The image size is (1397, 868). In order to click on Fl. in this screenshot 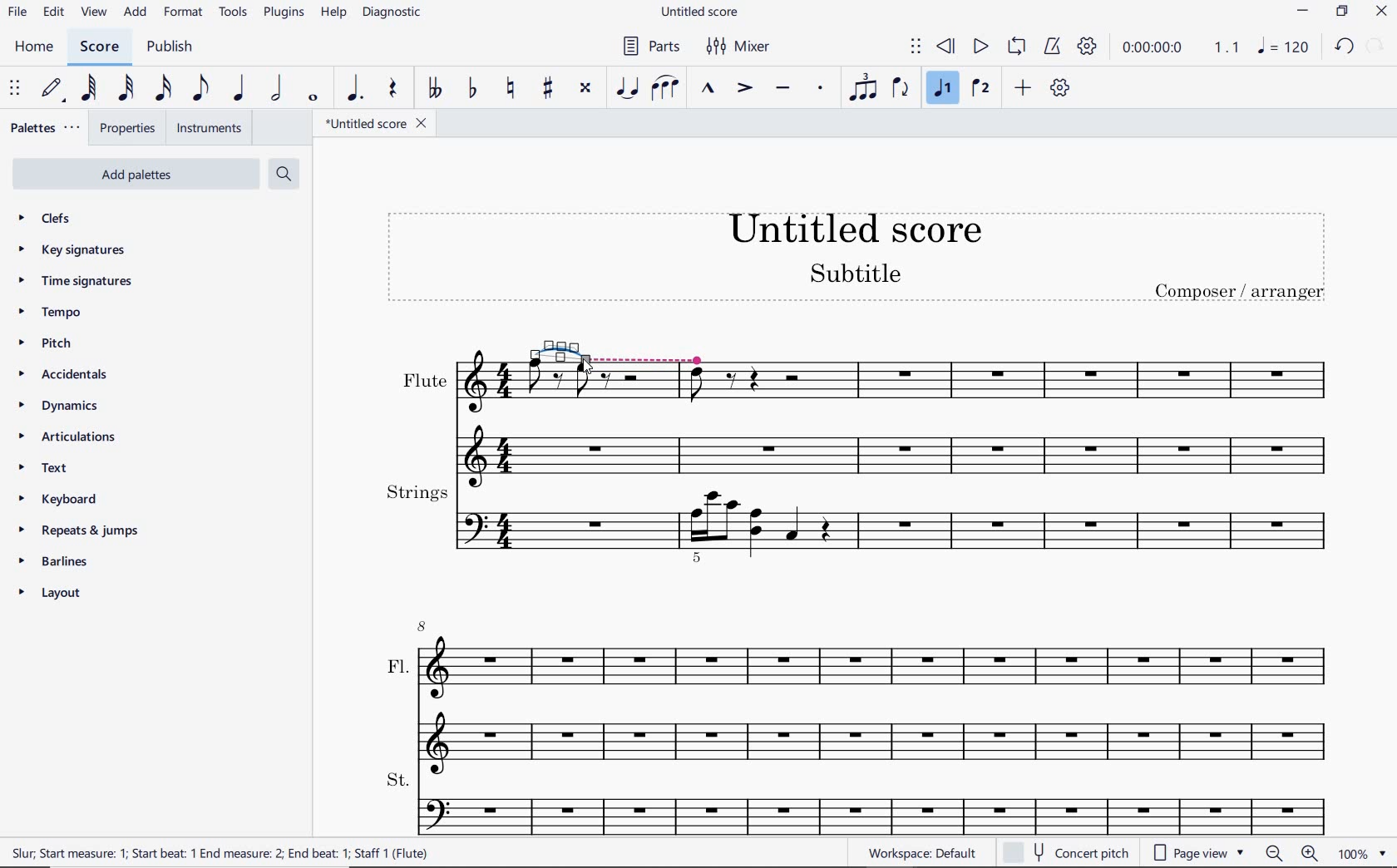, I will do `click(861, 691)`.